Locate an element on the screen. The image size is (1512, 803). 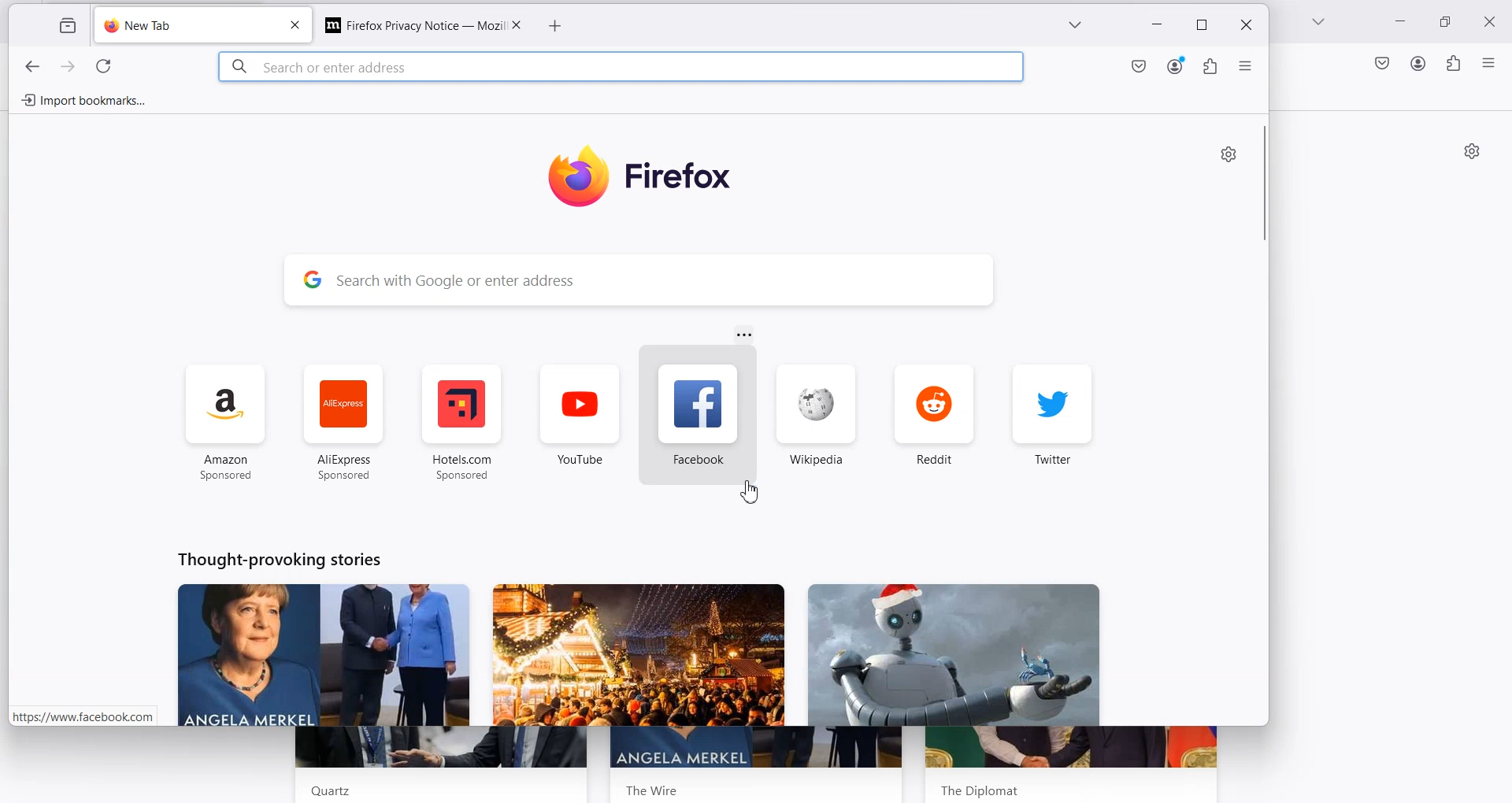
Save to Pocket is located at coordinates (1380, 63).